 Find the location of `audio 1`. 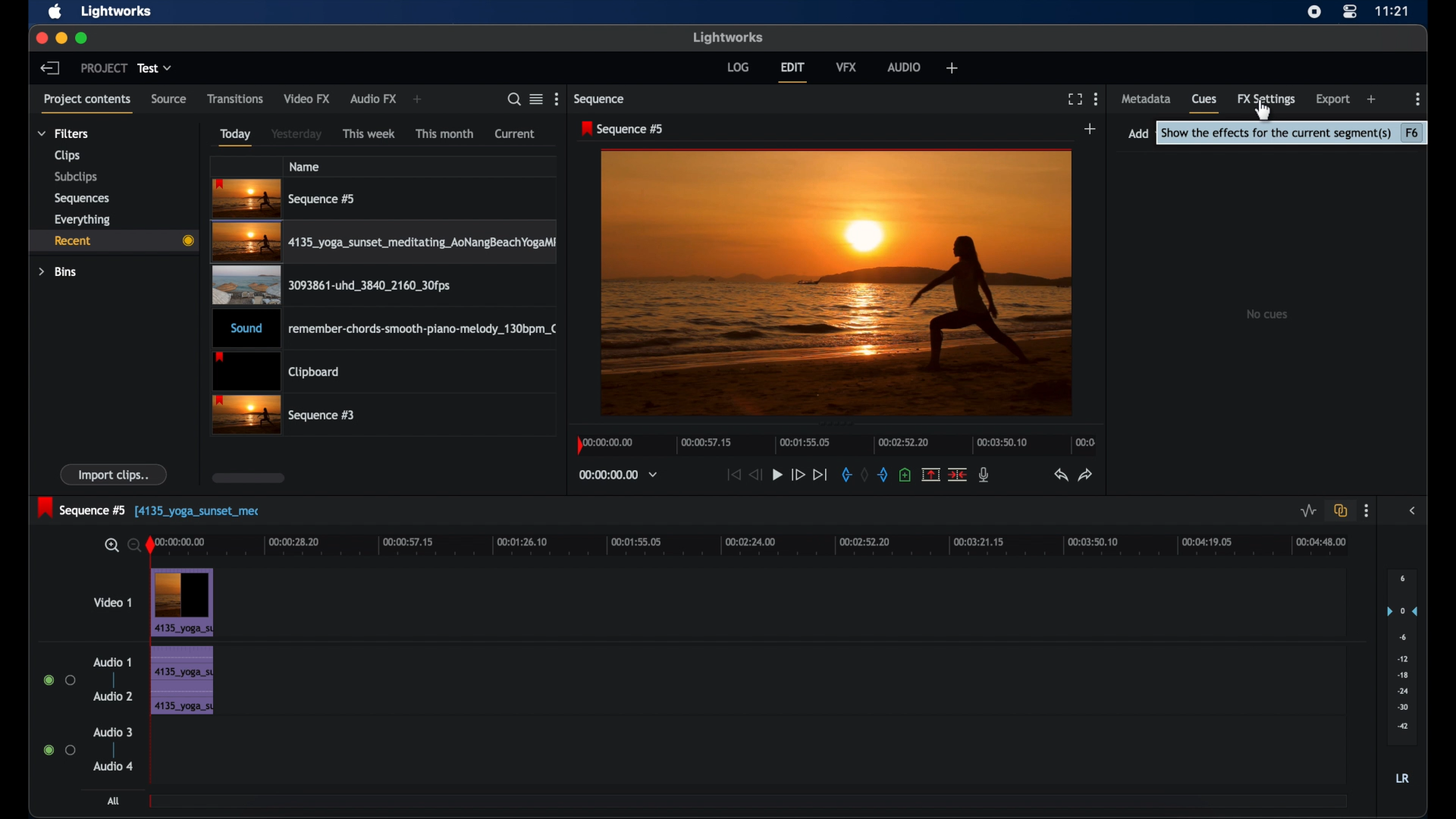

audio 1 is located at coordinates (111, 662).